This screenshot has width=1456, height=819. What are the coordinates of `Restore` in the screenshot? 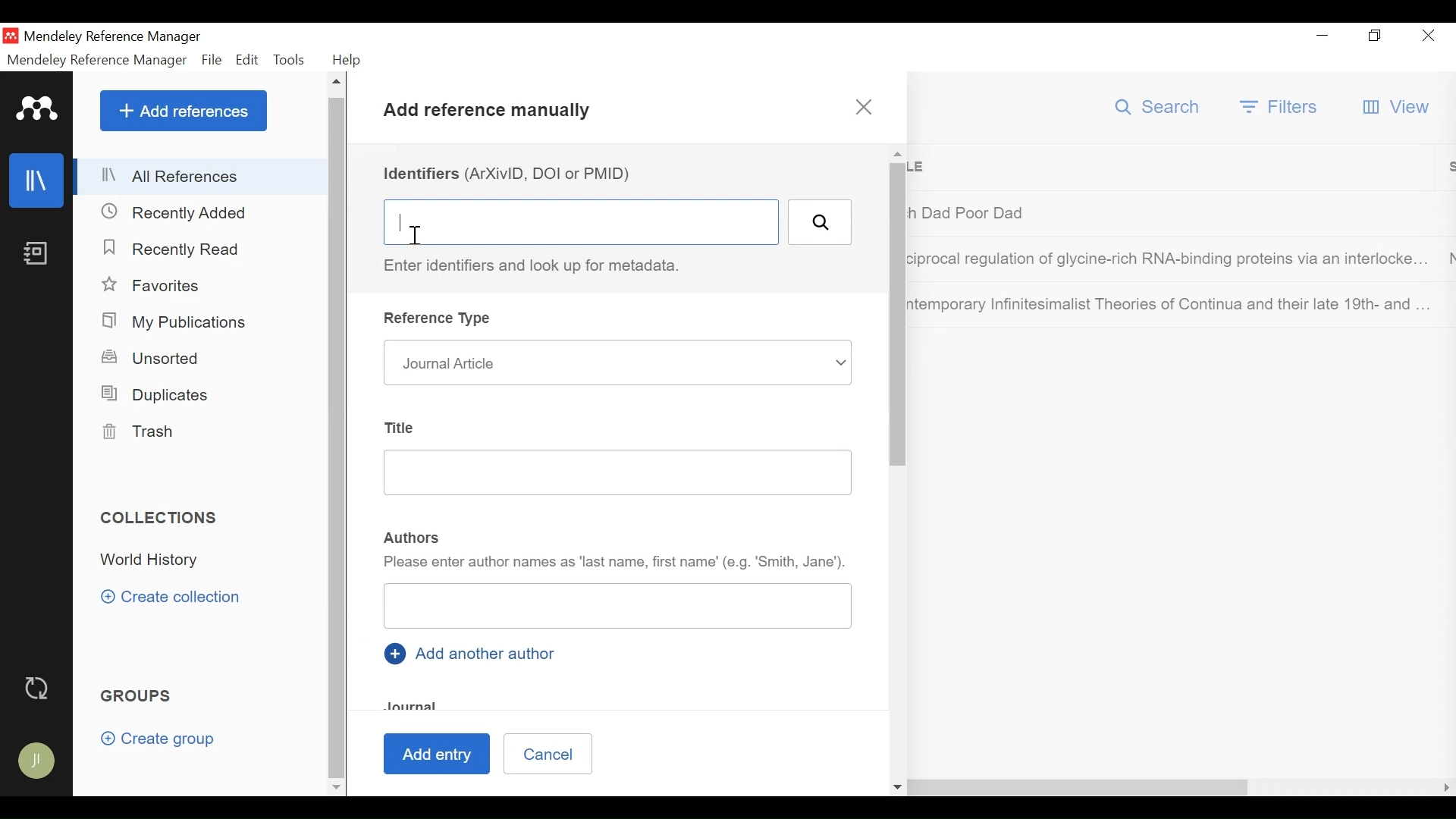 It's located at (1375, 37).